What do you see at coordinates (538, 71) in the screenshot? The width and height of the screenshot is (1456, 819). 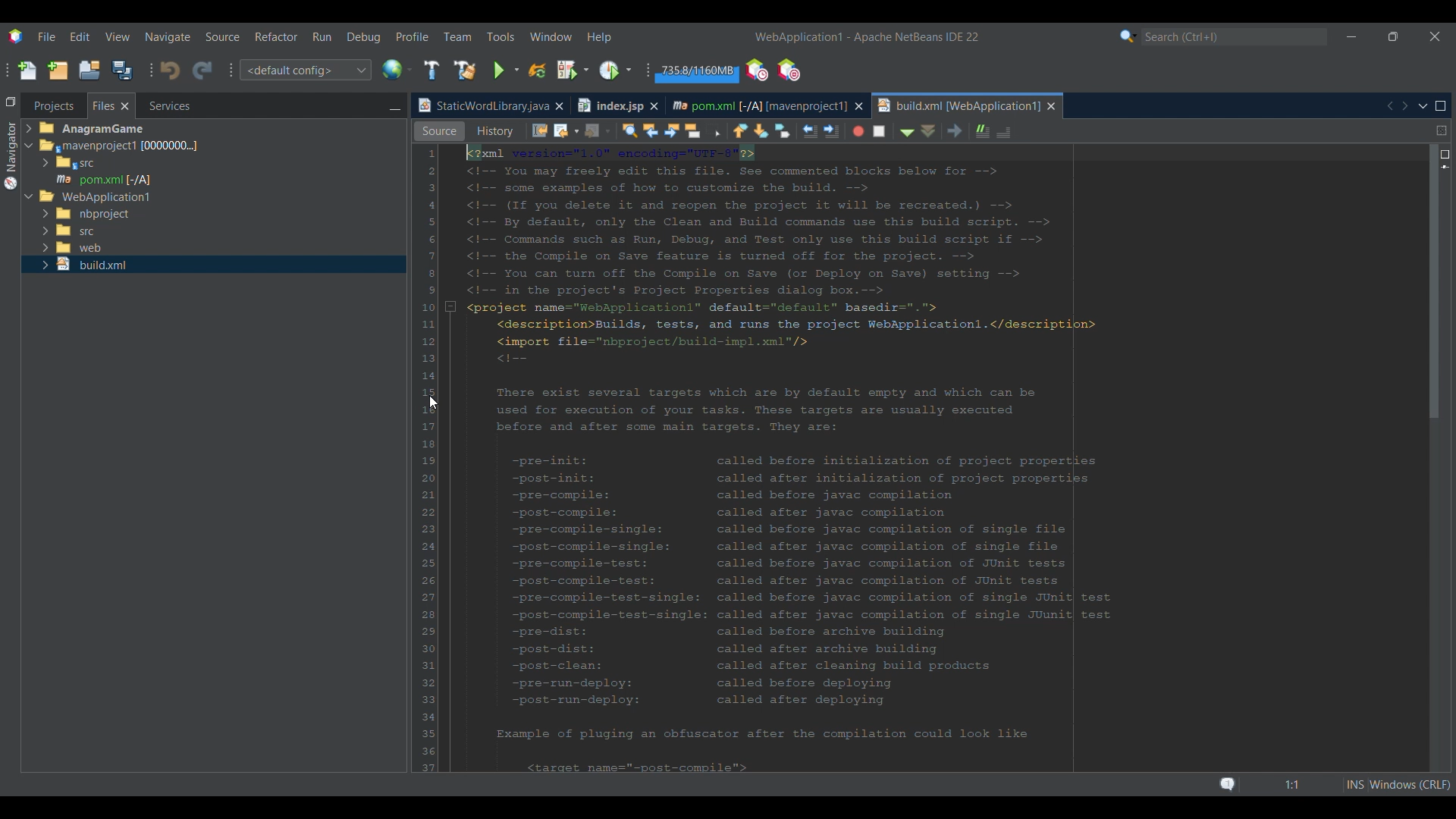 I see `Reload` at bounding box center [538, 71].